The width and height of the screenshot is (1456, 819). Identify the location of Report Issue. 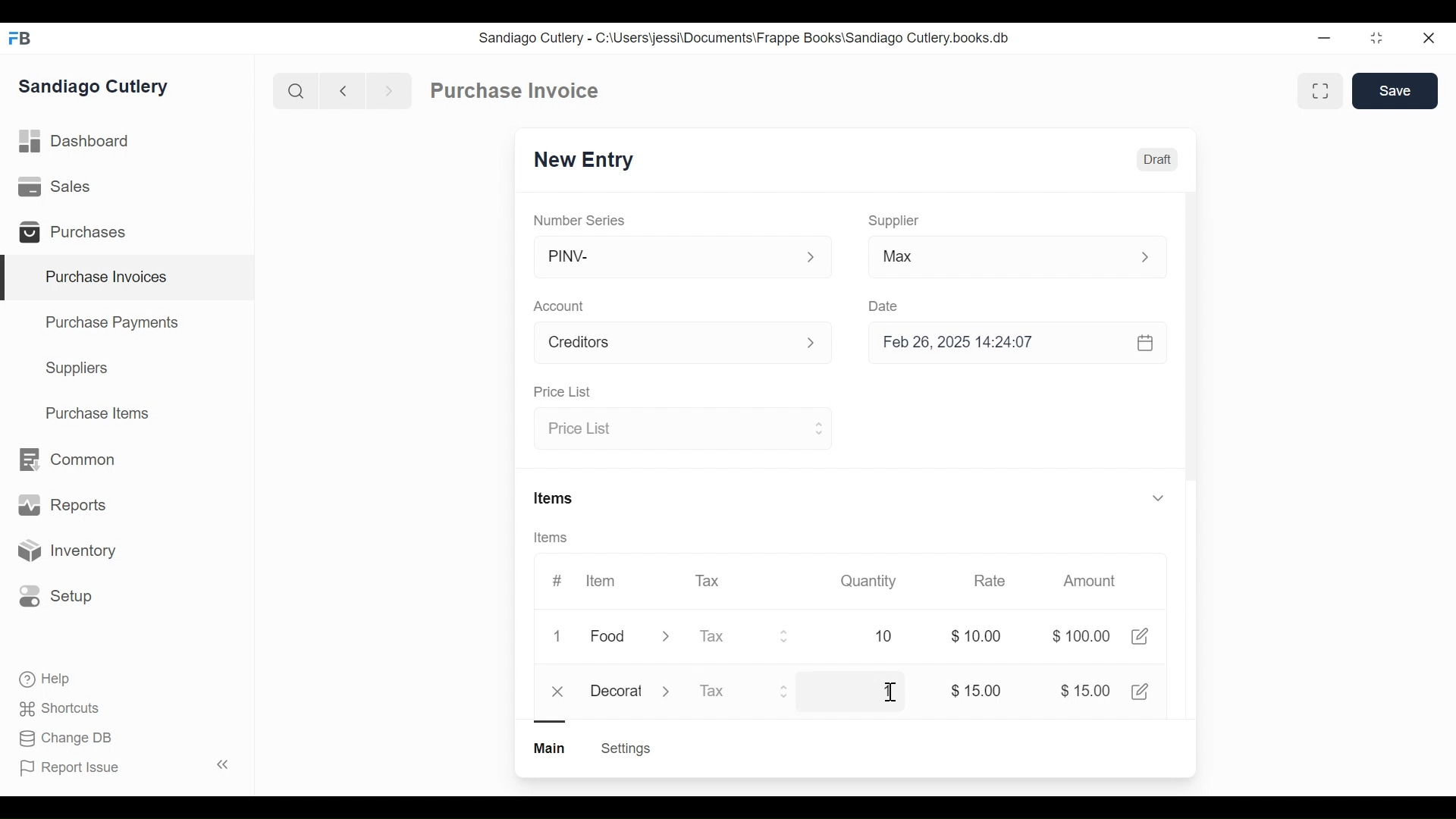
(124, 767).